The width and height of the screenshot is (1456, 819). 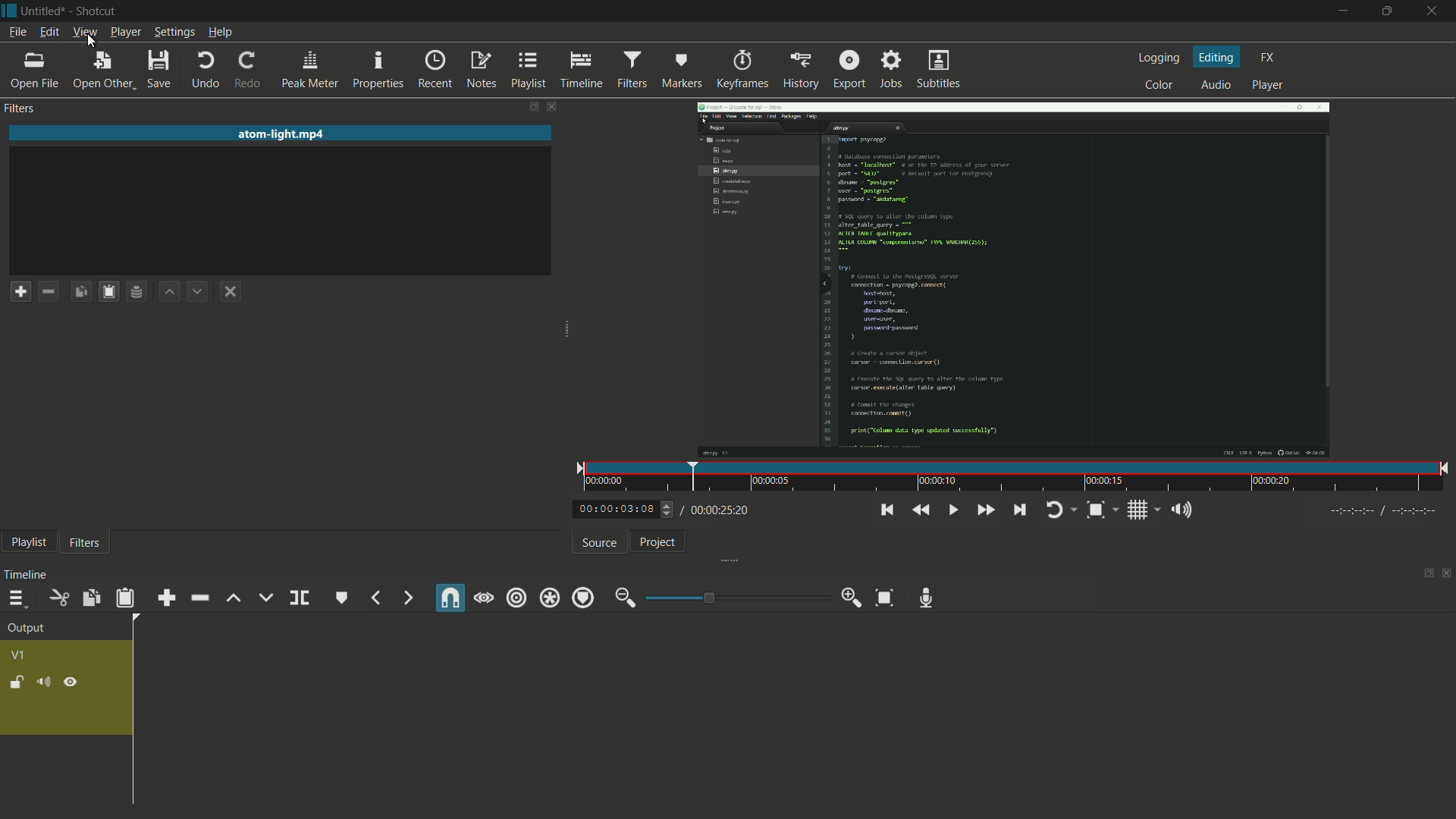 I want to click on paste, so click(x=124, y=598).